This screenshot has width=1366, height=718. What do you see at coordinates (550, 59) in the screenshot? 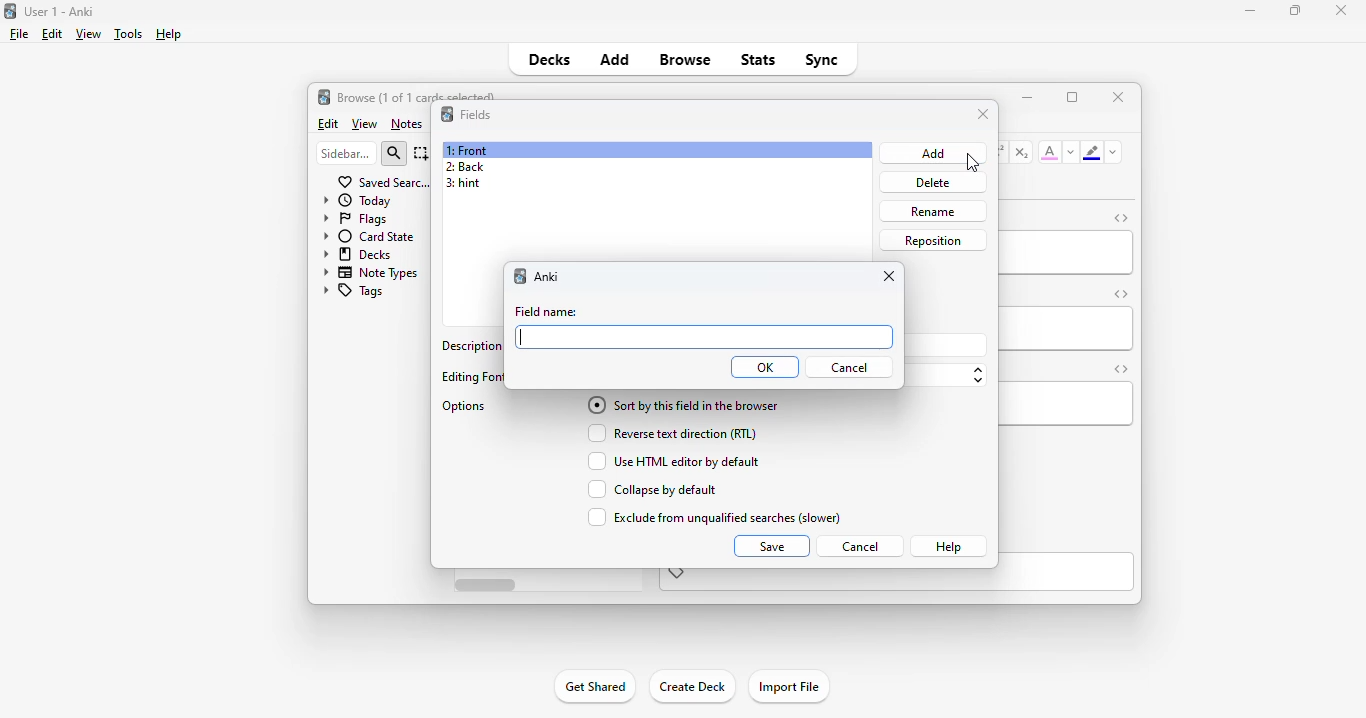
I see `decks` at bounding box center [550, 59].